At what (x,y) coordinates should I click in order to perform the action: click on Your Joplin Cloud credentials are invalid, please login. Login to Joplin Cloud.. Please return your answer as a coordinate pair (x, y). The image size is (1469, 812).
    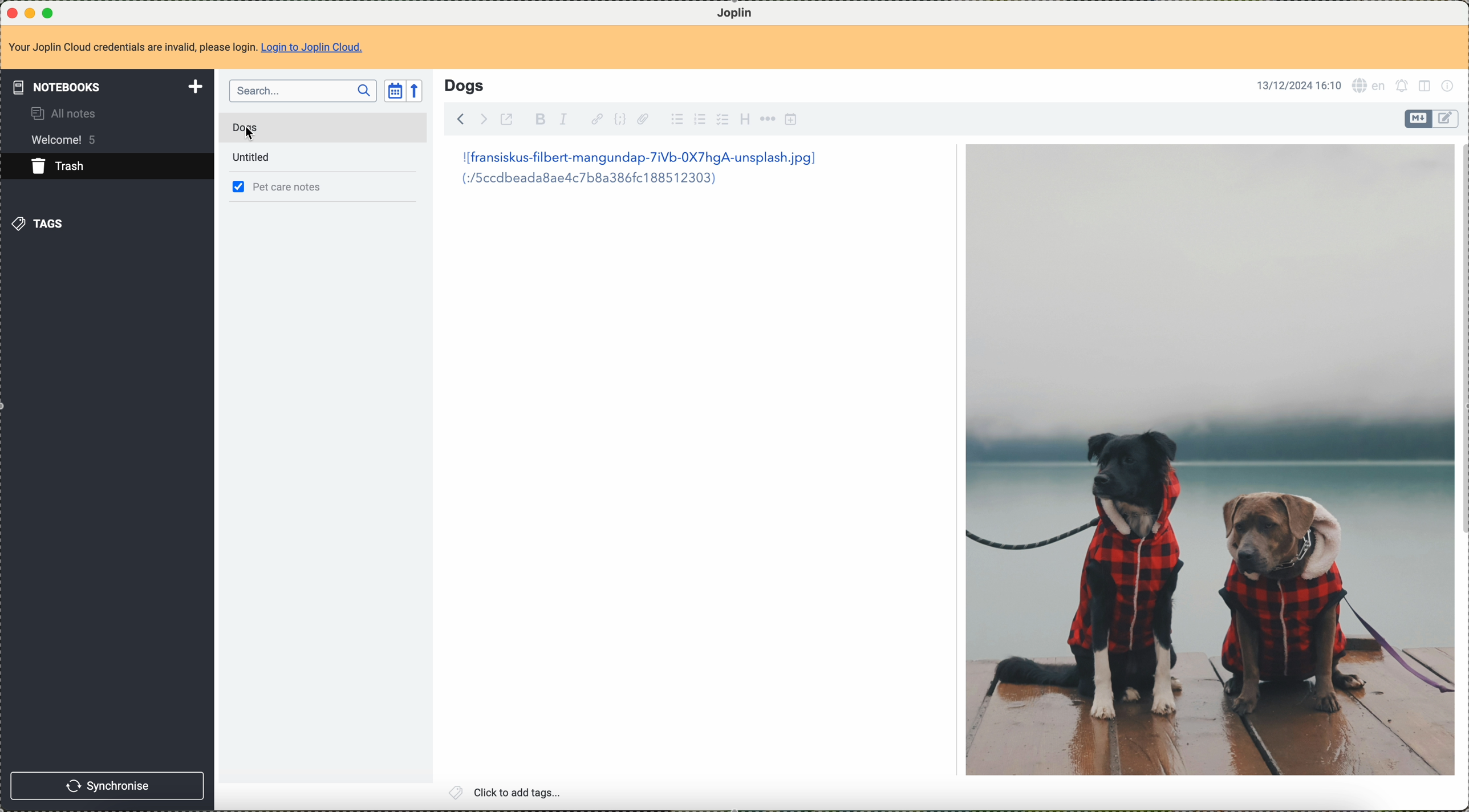
    Looking at the image, I should click on (197, 47).